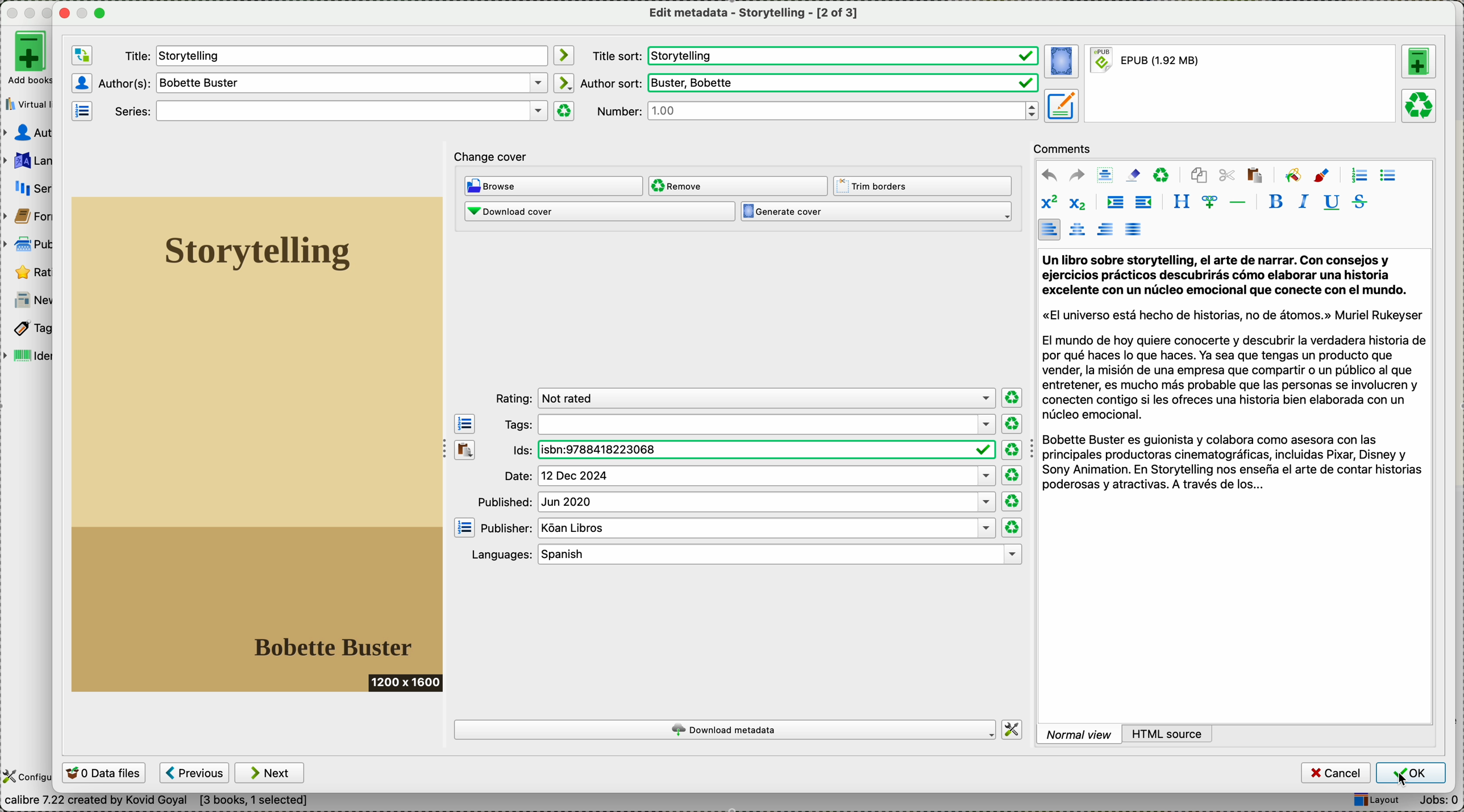 The image size is (1464, 812). Describe the element at coordinates (1162, 176) in the screenshot. I see `clear` at that location.